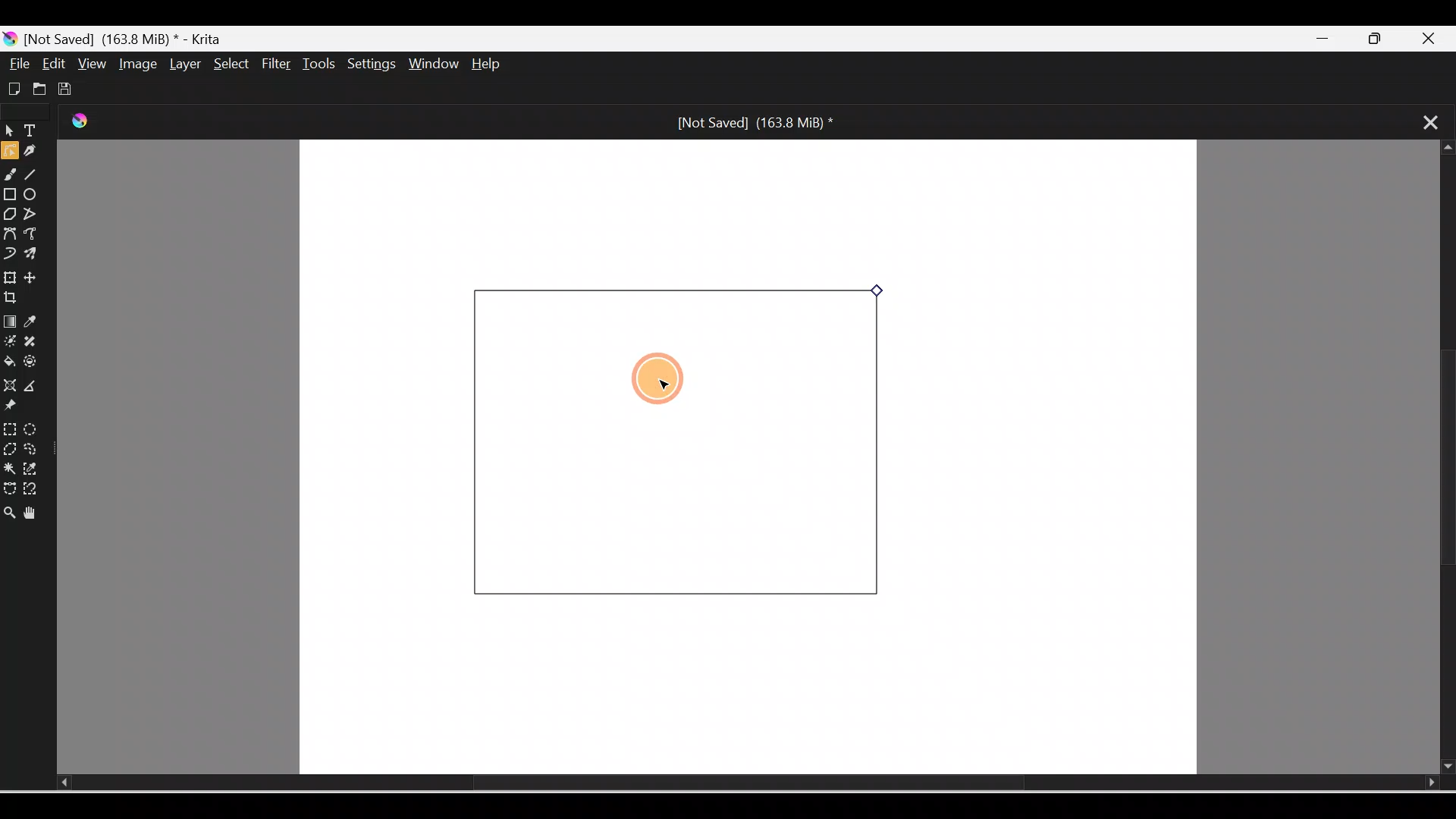 The image size is (1456, 819). What do you see at coordinates (1326, 39) in the screenshot?
I see `Minimize` at bounding box center [1326, 39].